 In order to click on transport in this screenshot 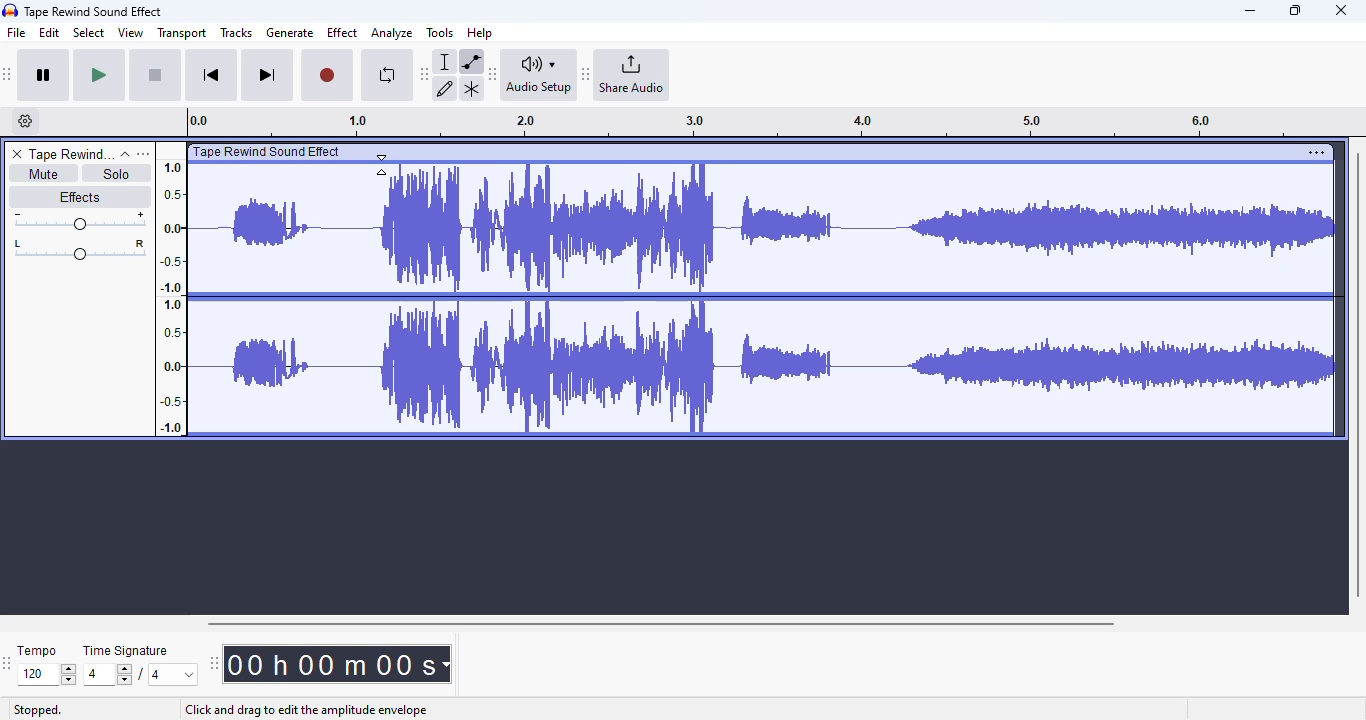, I will do `click(183, 33)`.